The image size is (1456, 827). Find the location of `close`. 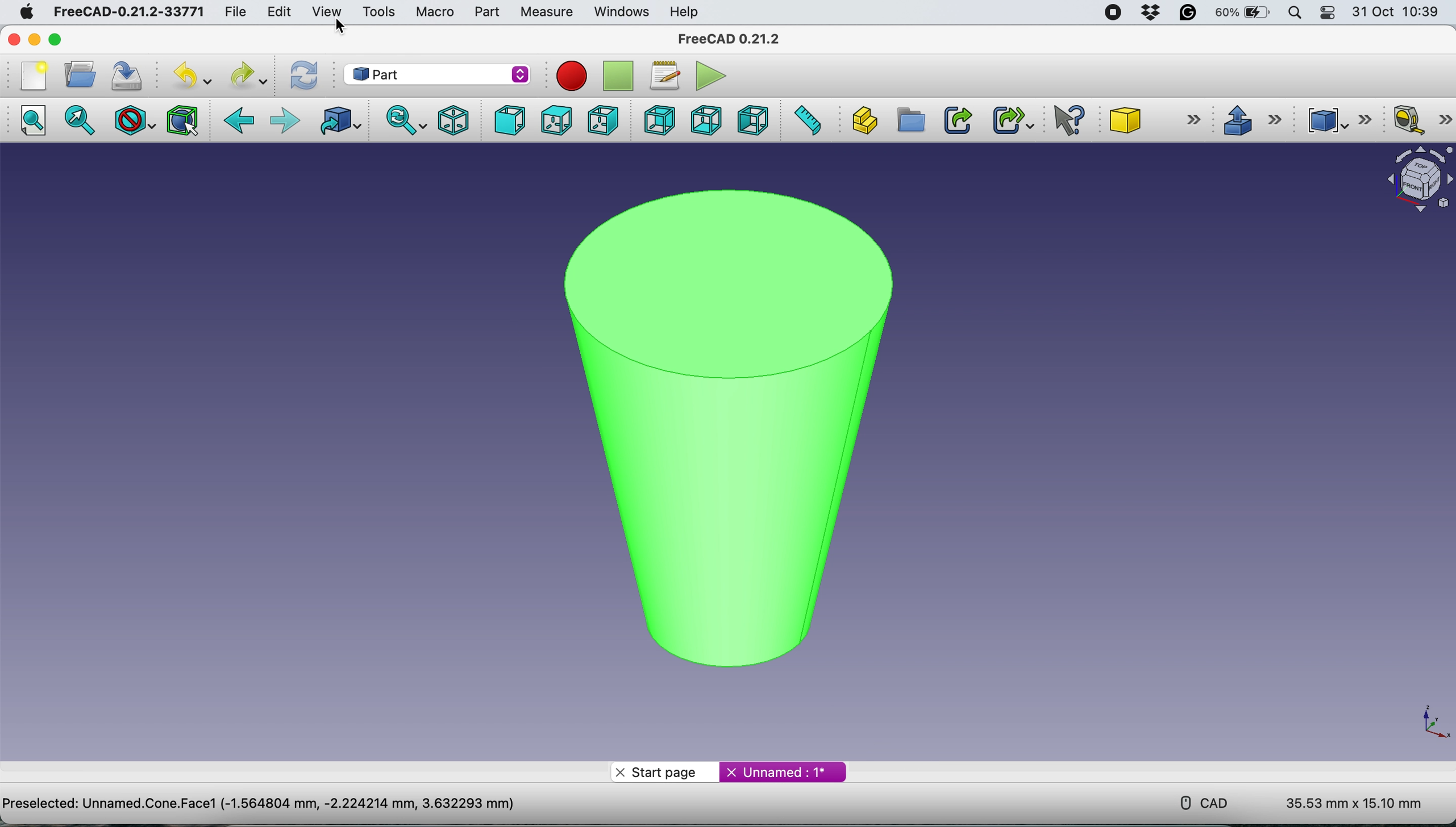

close is located at coordinates (16, 40).